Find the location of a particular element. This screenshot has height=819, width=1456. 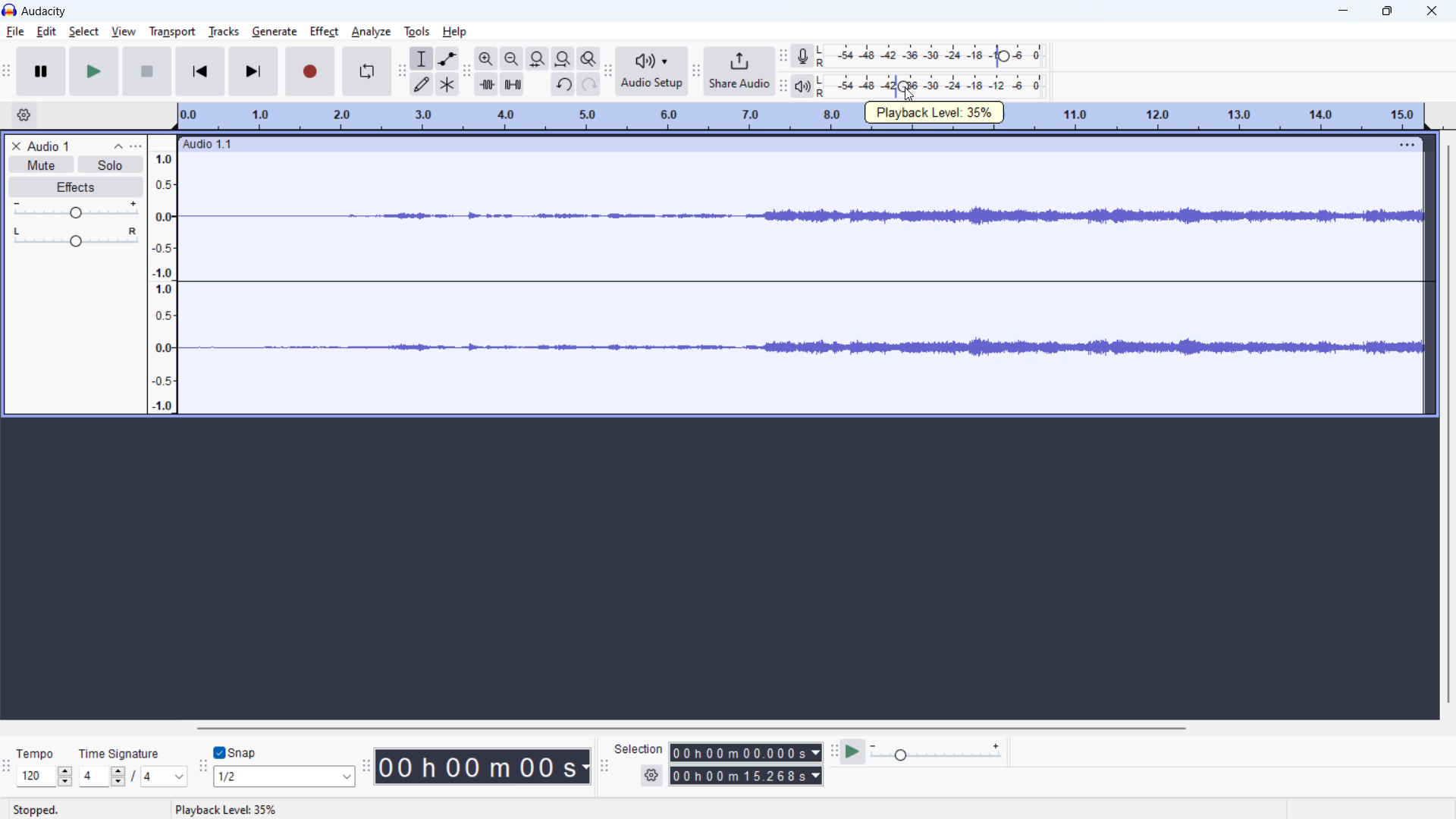

generate is located at coordinates (275, 31).